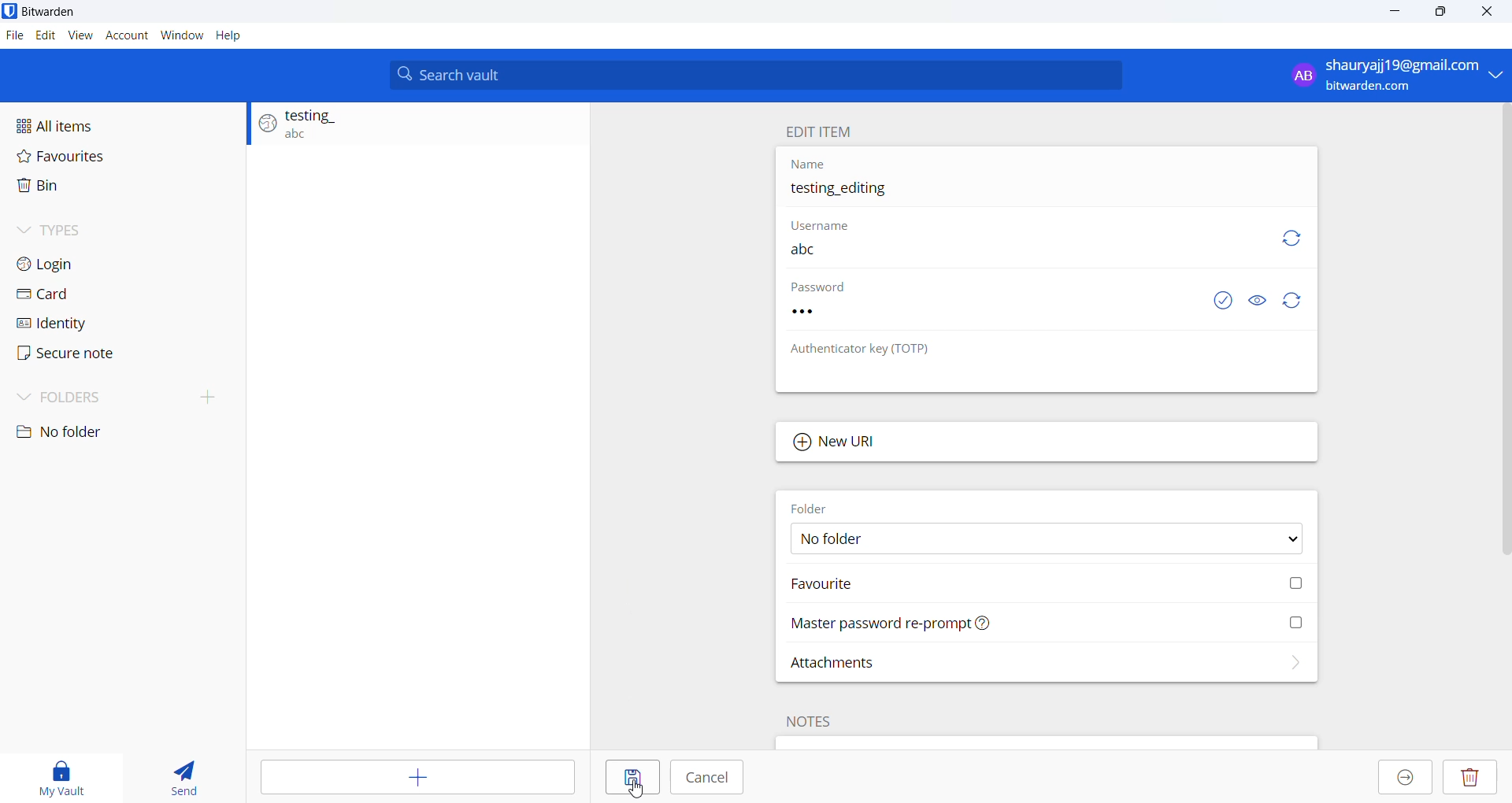 The width and height of the screenshot is (1512, 803). What do you see at coordinates (45, 36) in the screenshot?
I see `Edit` at bounding box center [45, 36].